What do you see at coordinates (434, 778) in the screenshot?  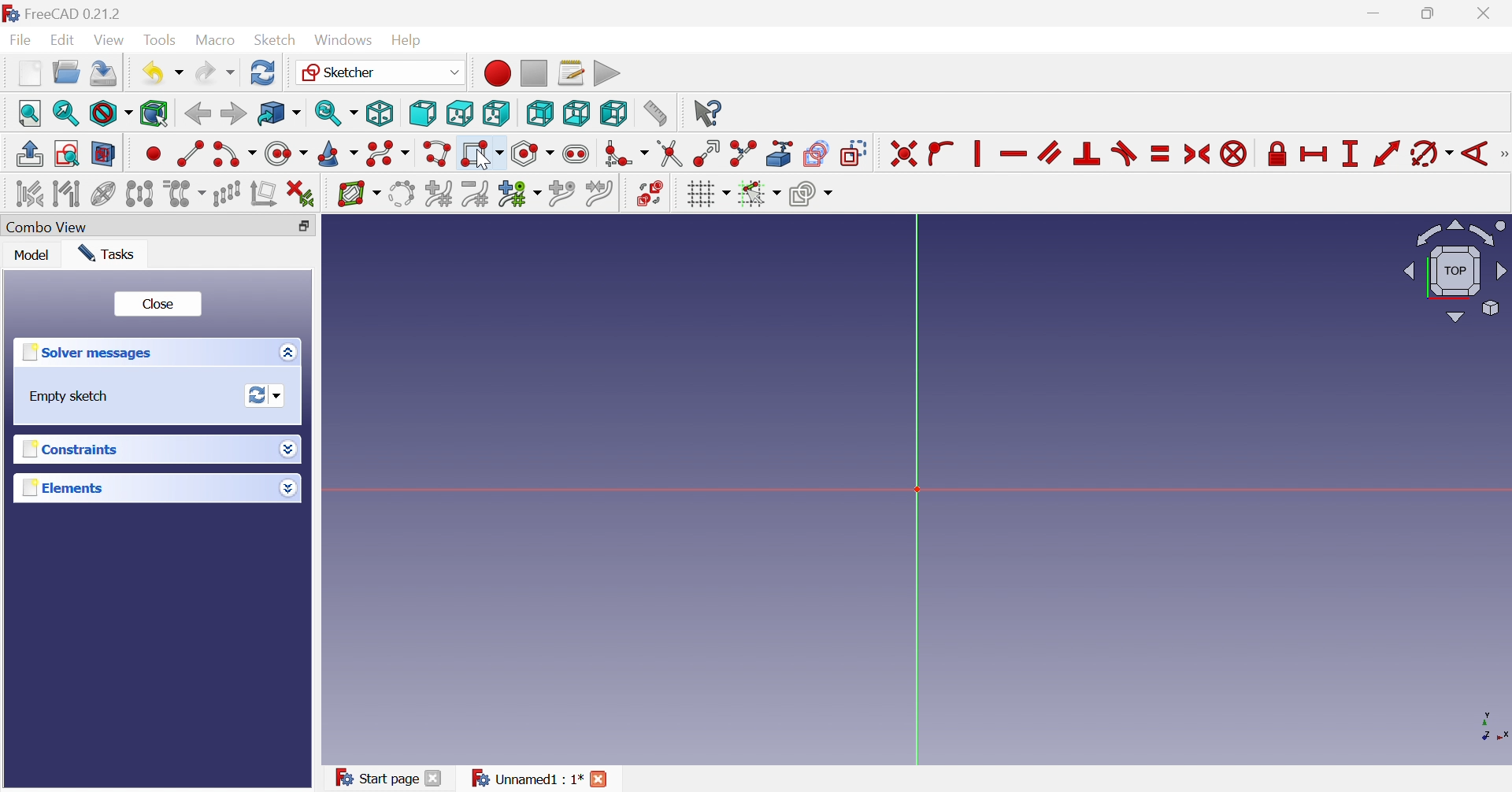 I see `Close` at bounding box center [434, 778].